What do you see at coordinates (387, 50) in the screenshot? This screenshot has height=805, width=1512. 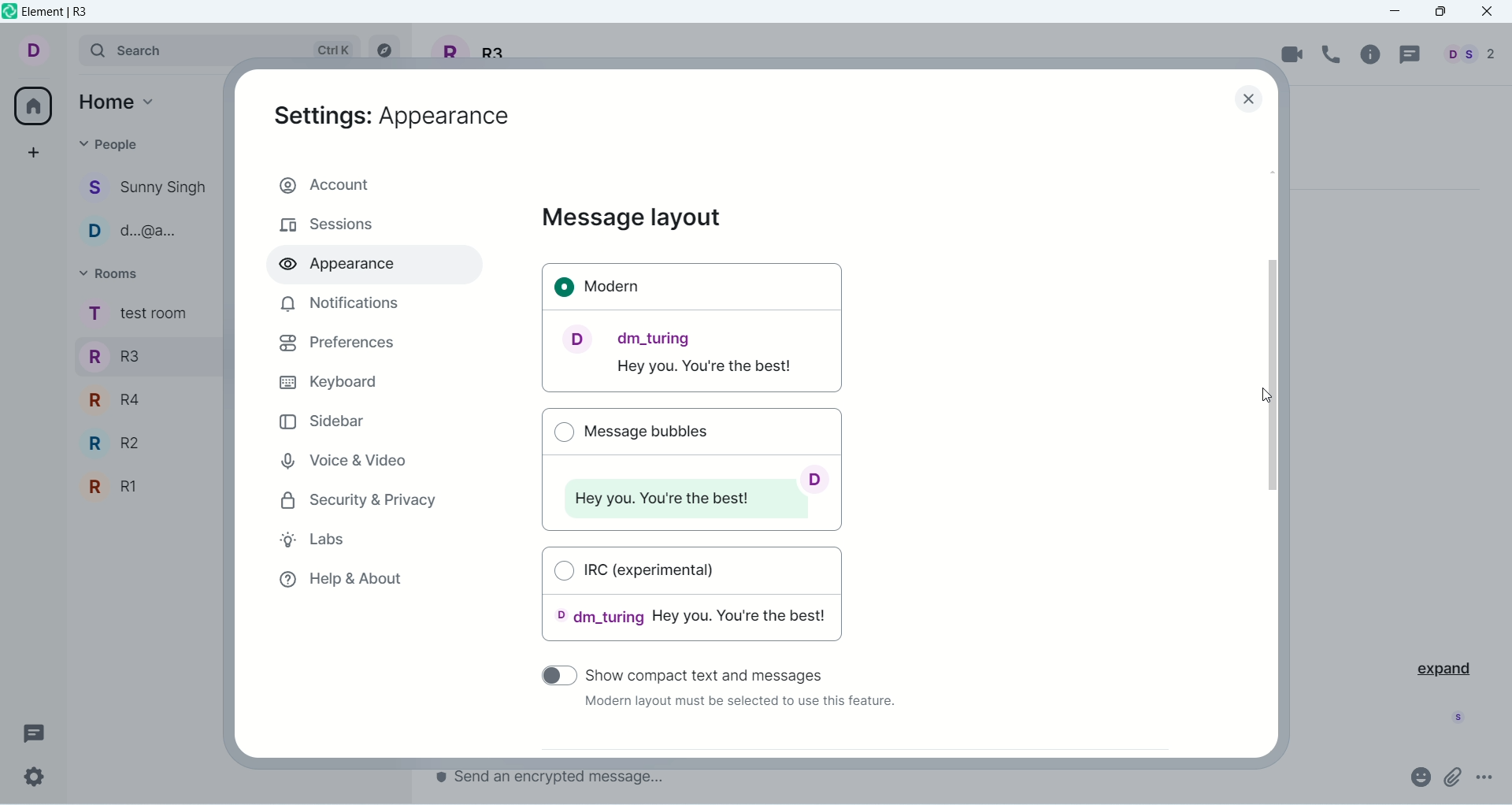 I see `explore rooms` at bounding box center [387, 50].